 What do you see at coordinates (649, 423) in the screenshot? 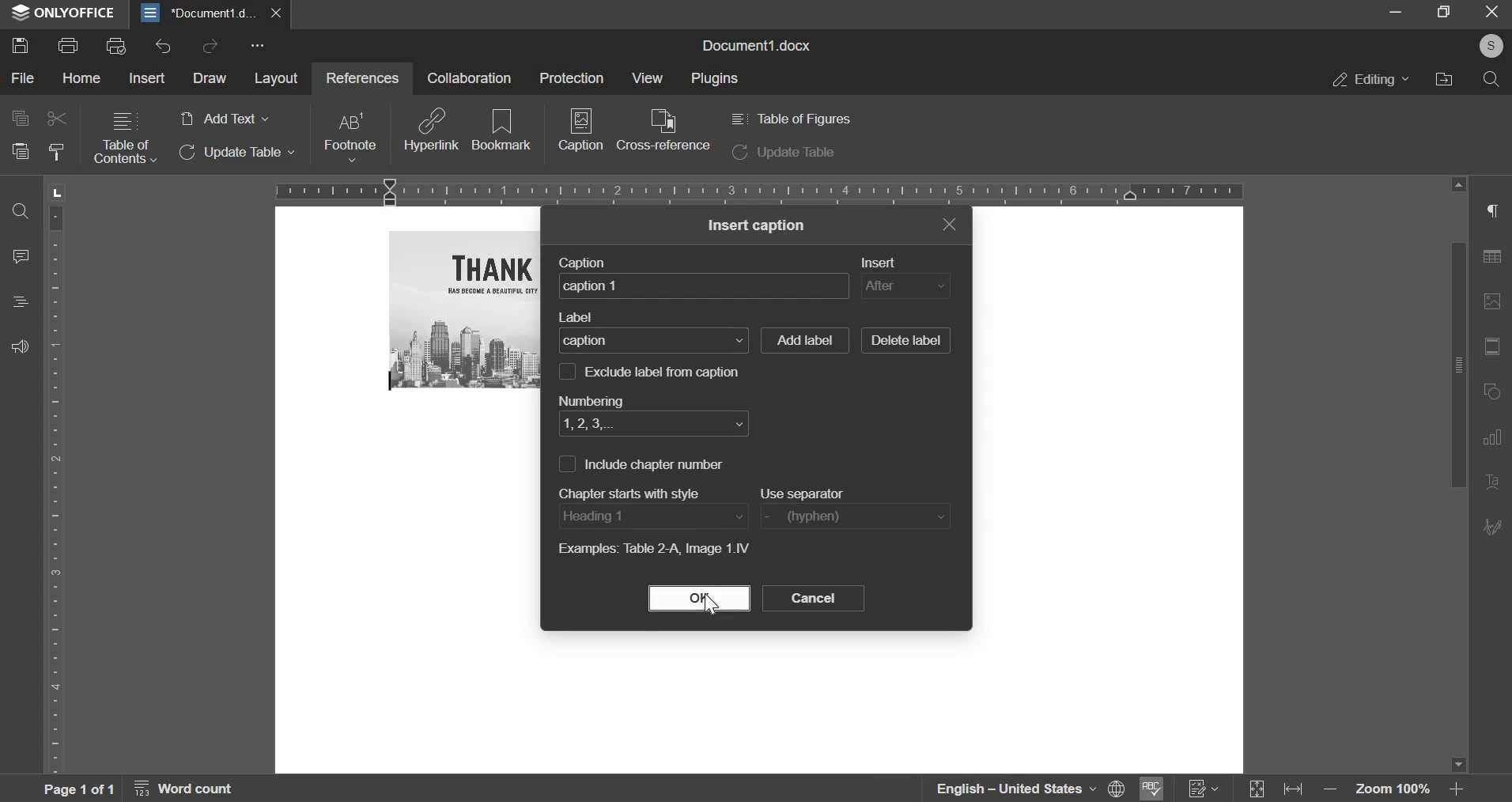
I see `numbering` at bounding box center [649, 423].